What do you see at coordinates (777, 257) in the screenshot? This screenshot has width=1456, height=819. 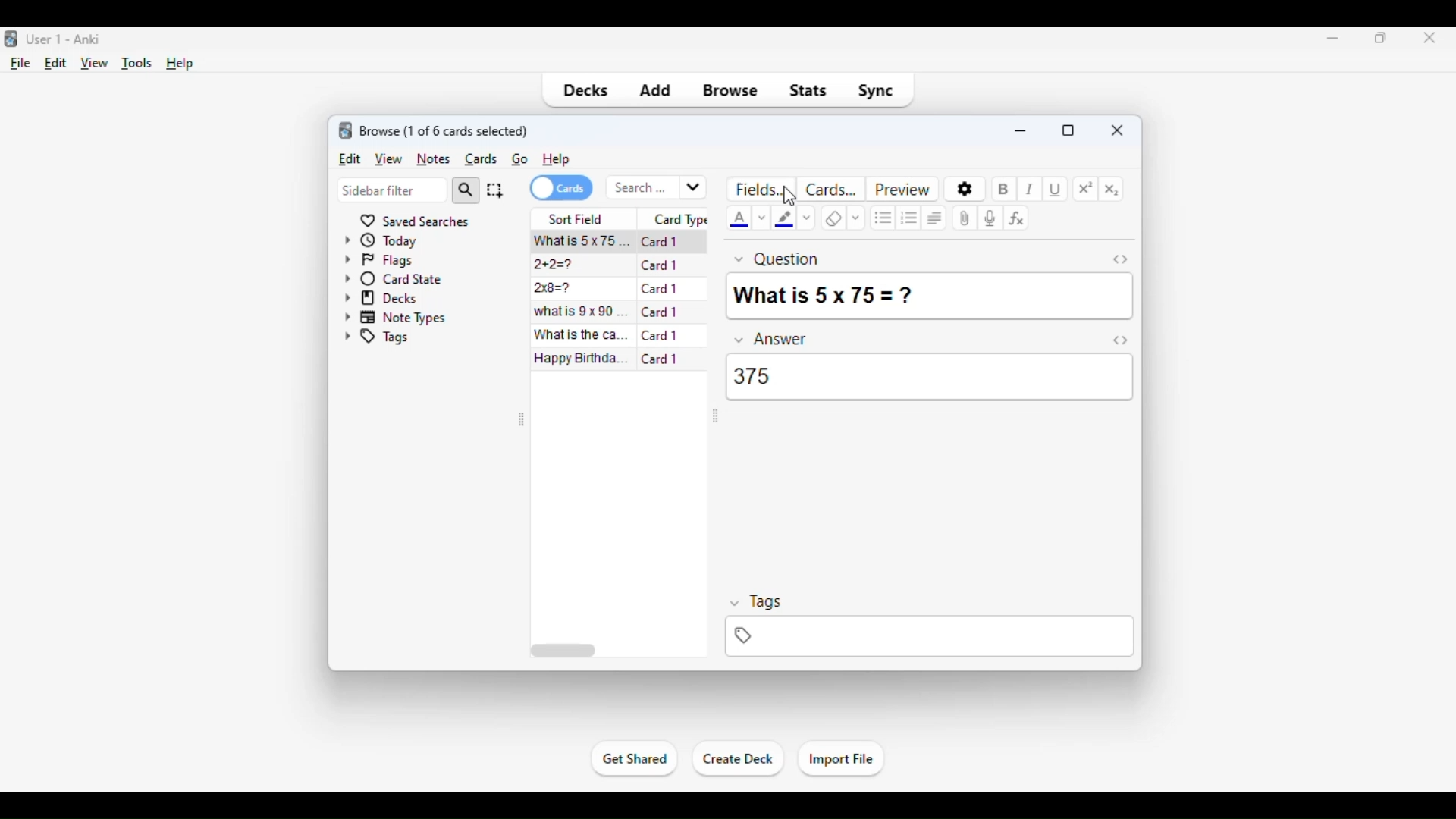 I see `question 1` at bounding box center [777, 257].